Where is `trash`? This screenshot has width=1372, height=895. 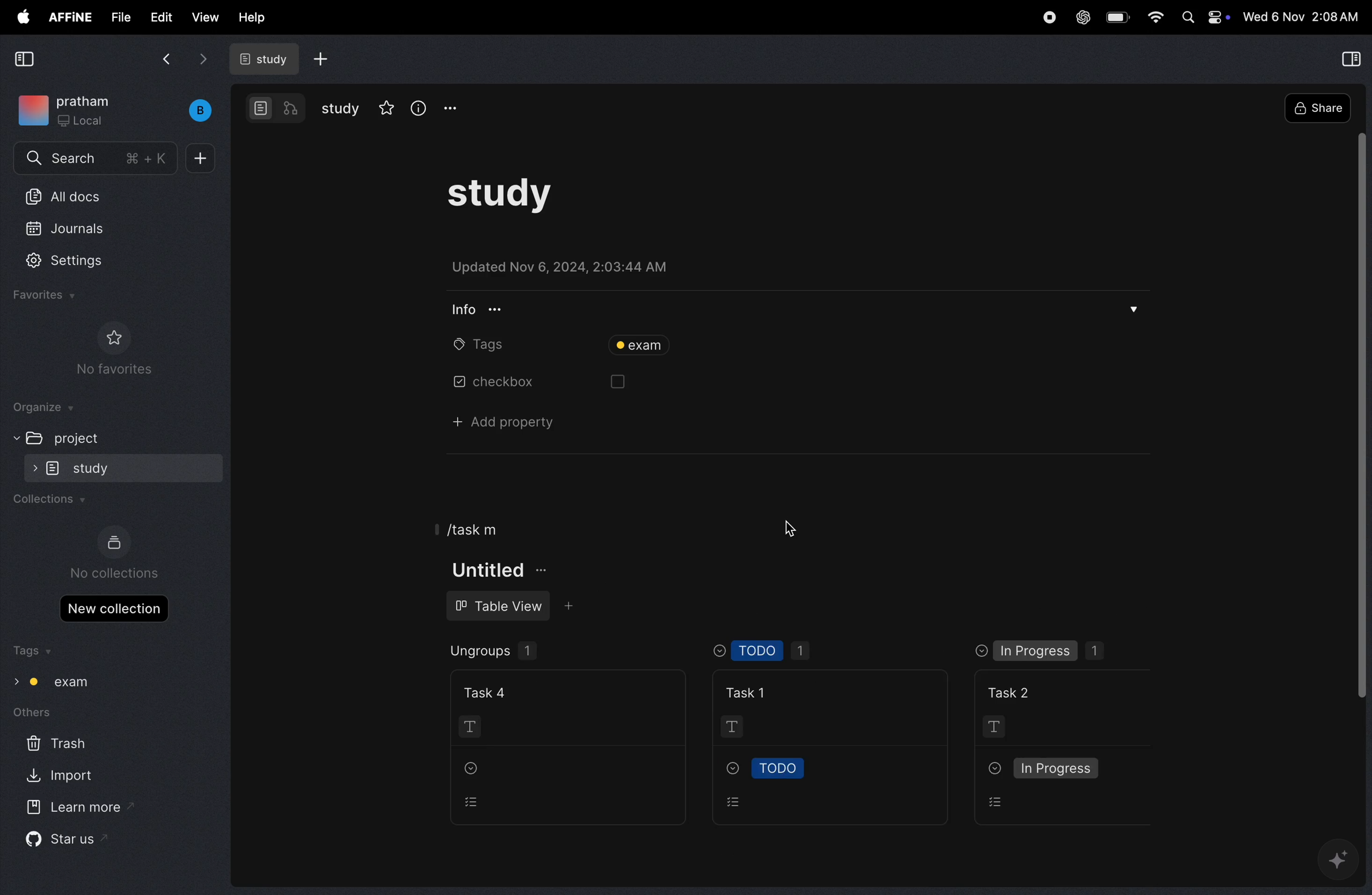 trash is located at coordinates (52, 744).